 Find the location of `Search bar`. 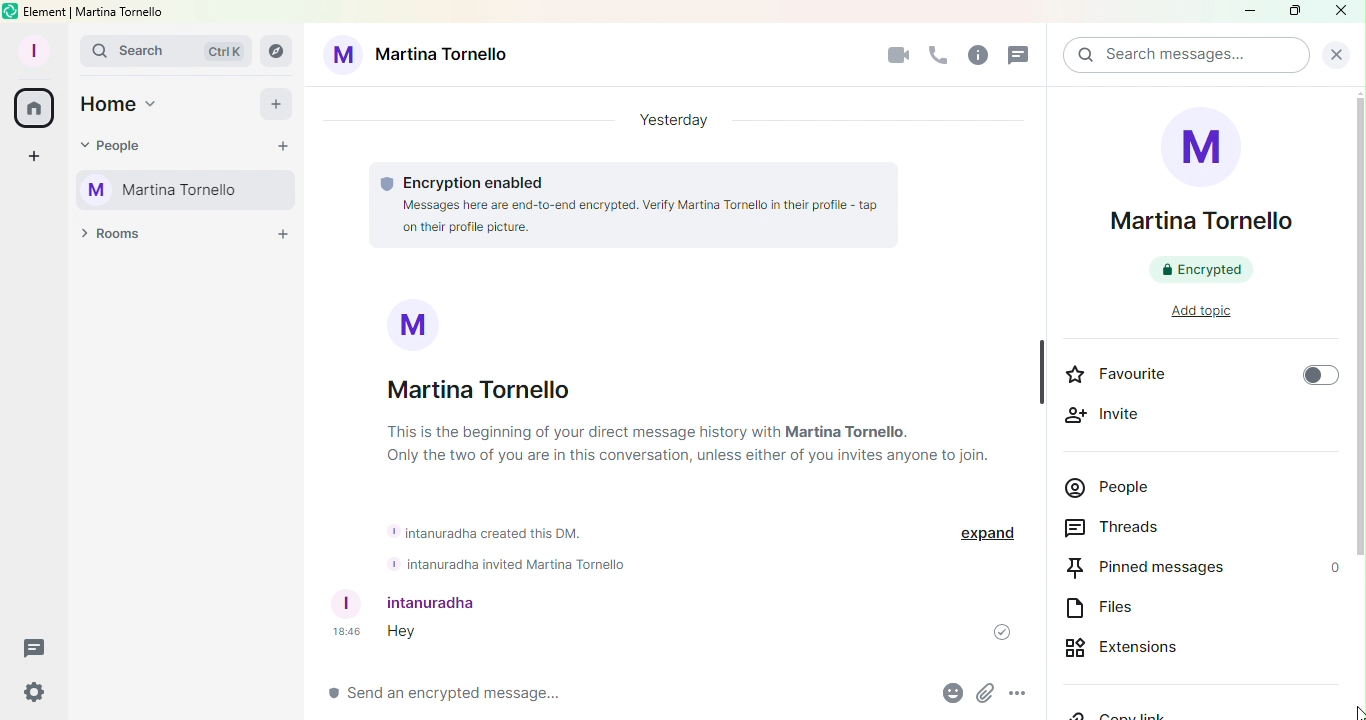

Search bar is located at coordinates (1179, 56).